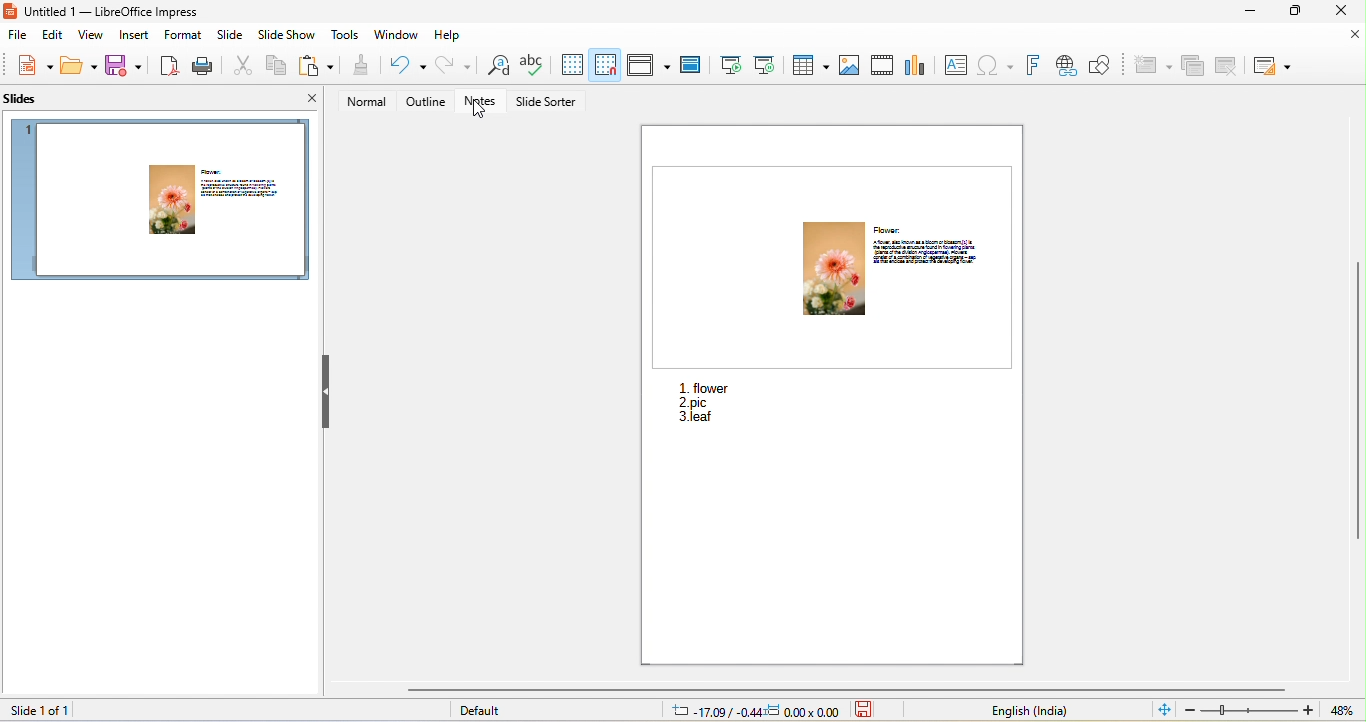 The height and width of the screenshot is (722, 1366). I want to click on window, so click(397, 34).